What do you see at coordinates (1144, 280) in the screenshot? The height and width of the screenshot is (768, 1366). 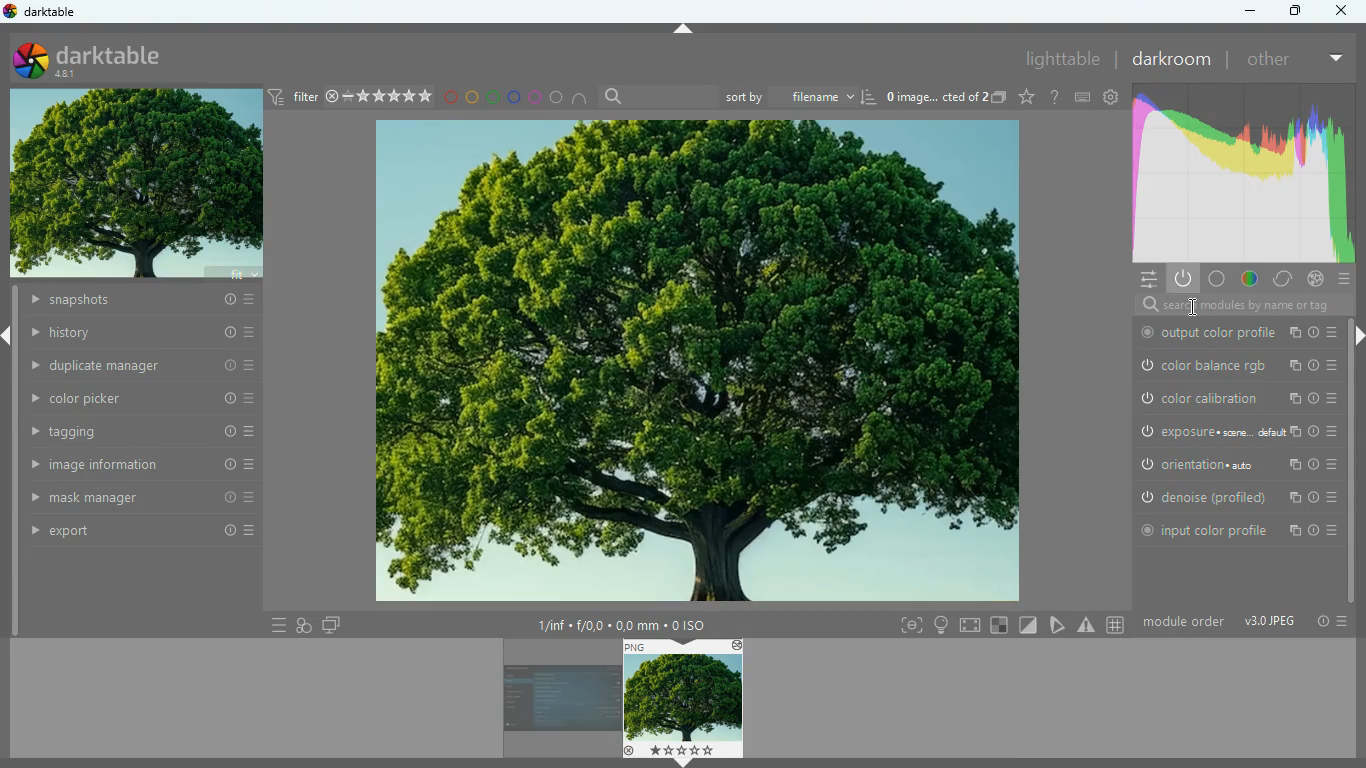 I see `menu` at bounding box center [1144, 280].